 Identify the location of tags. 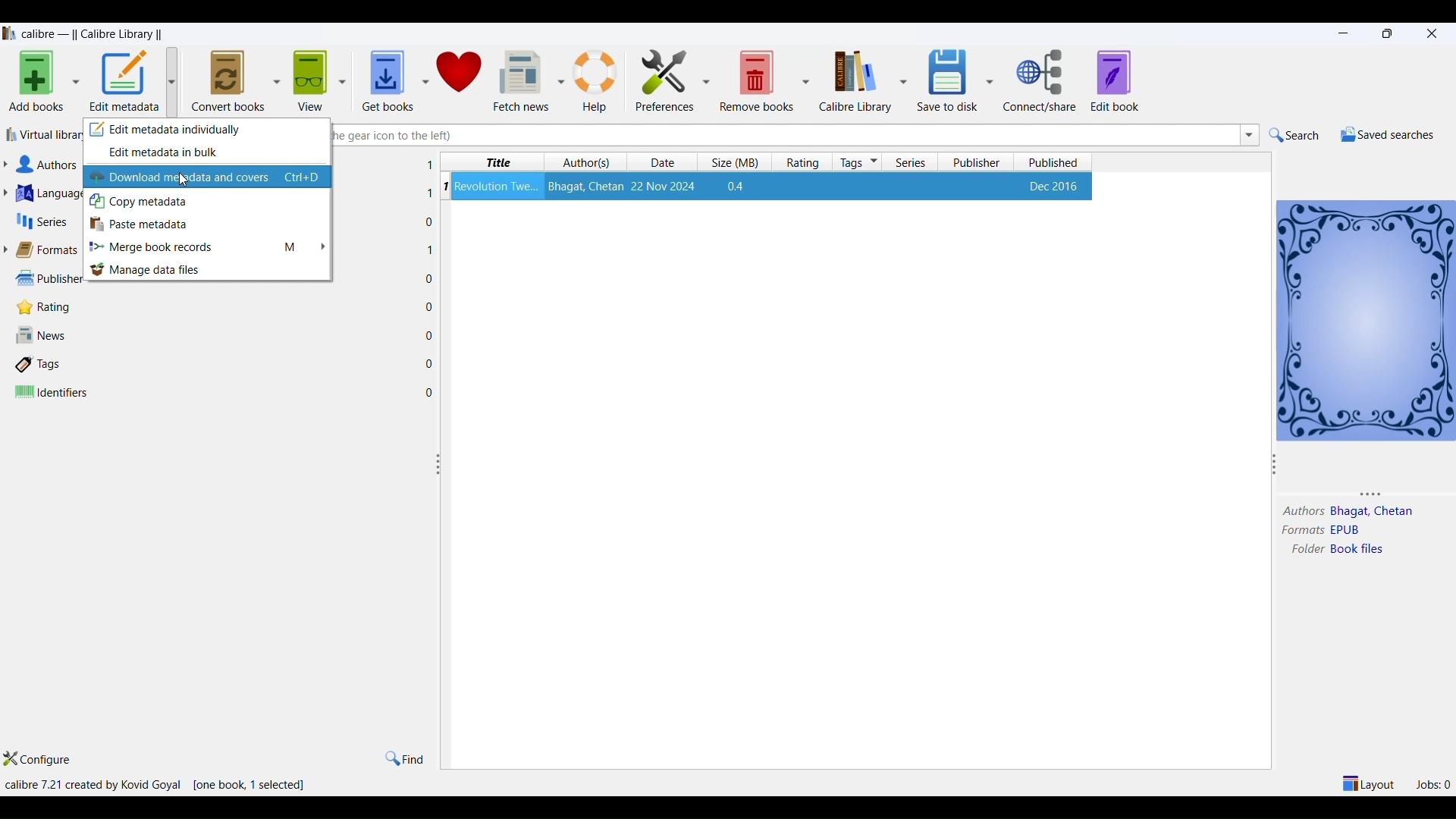
(858, 162).